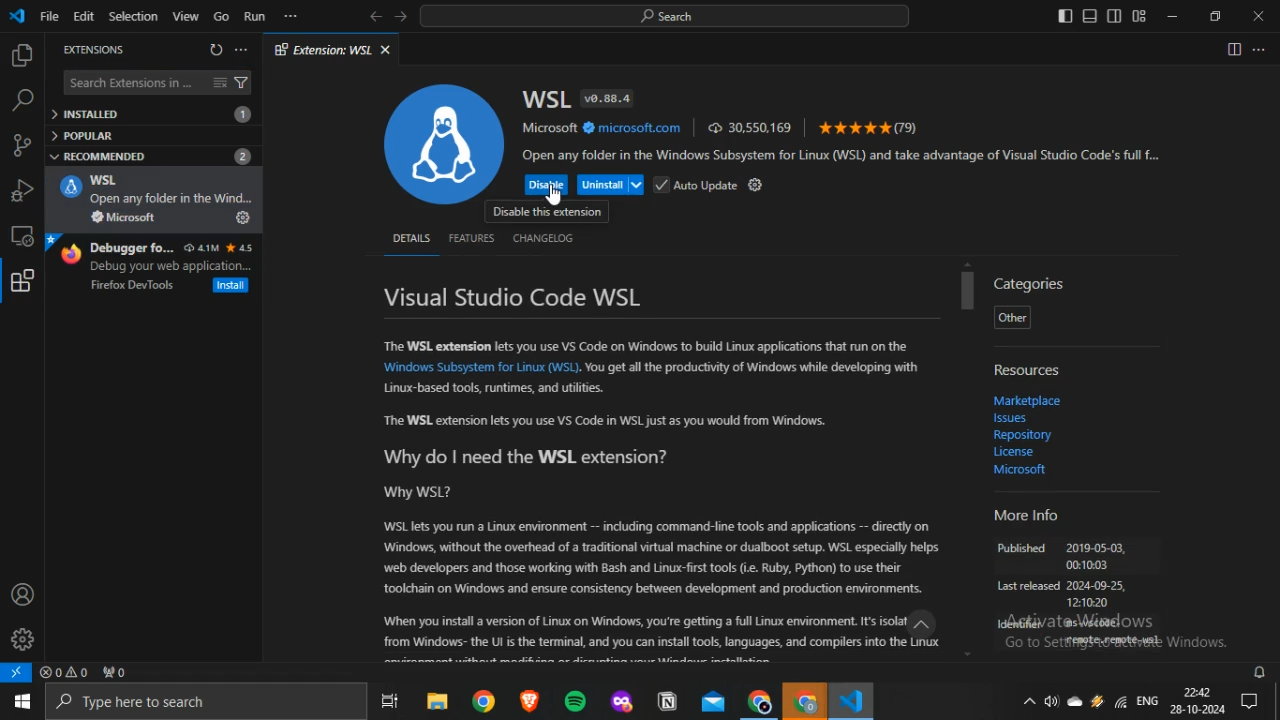  What do you see at coordinates (756, 184) in the screenshot?
I see `settings` at bounding box center [756, 184].